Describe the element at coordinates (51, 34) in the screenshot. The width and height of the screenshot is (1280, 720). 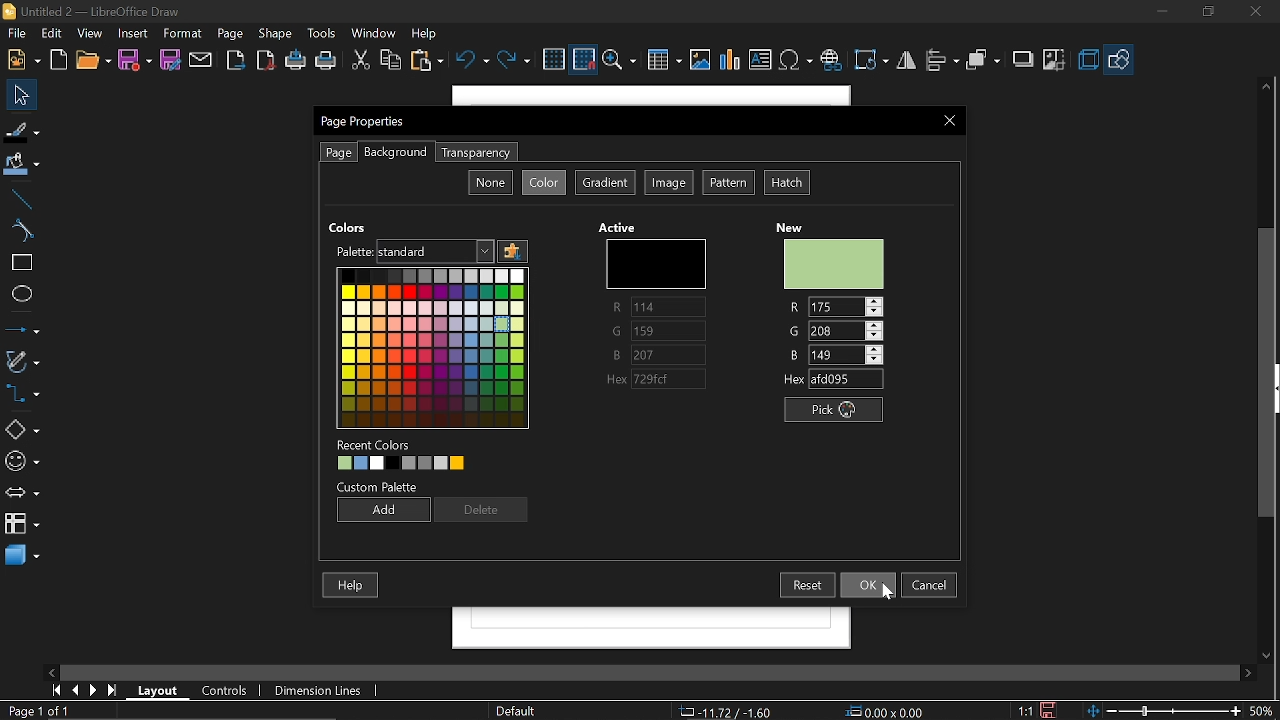
I see `Edit` at that location.